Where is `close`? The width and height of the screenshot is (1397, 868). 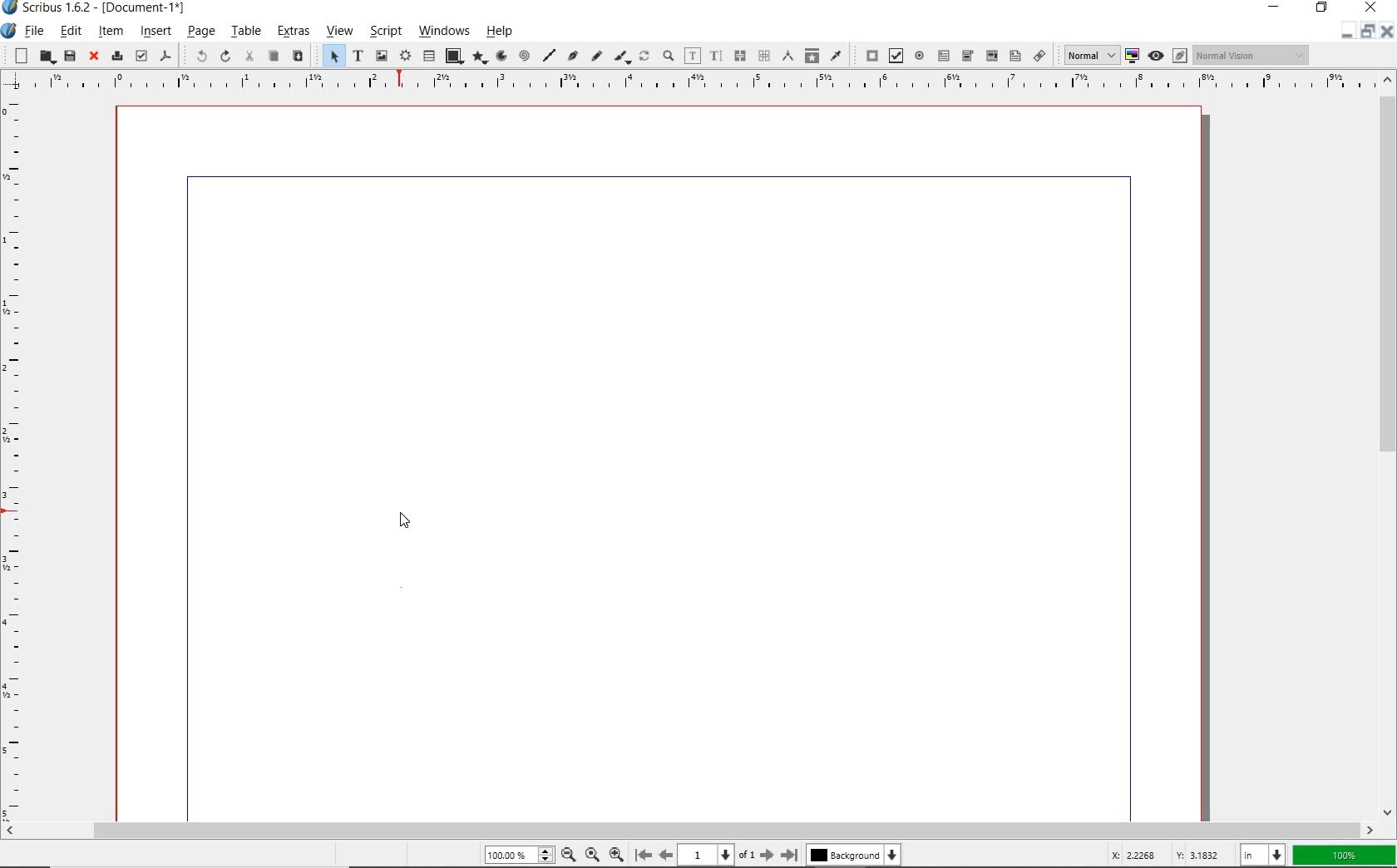 close is located at coordinates (1371, 7).